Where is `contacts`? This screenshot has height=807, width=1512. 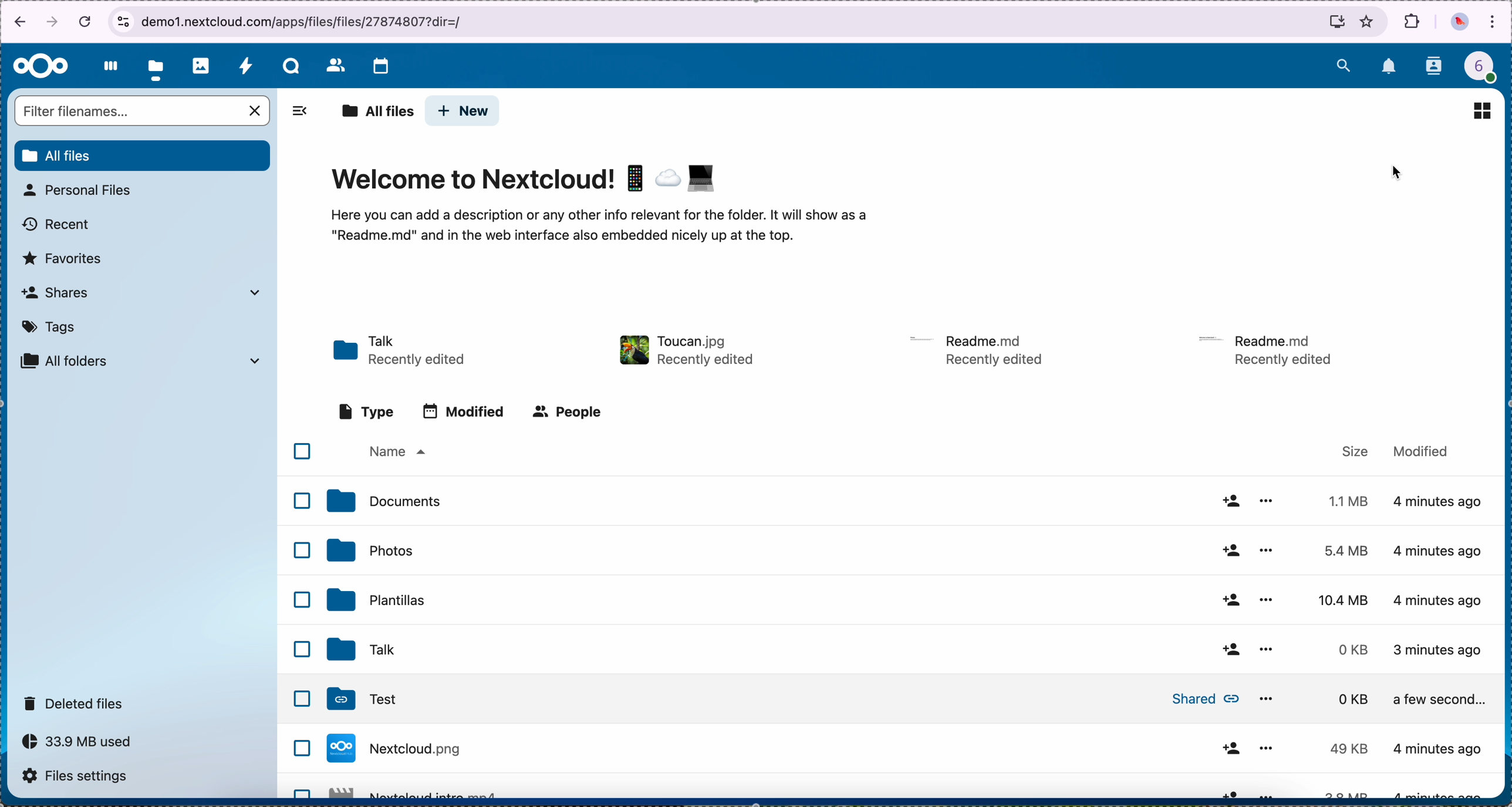
contacts is located at coordinates (1435, 67).